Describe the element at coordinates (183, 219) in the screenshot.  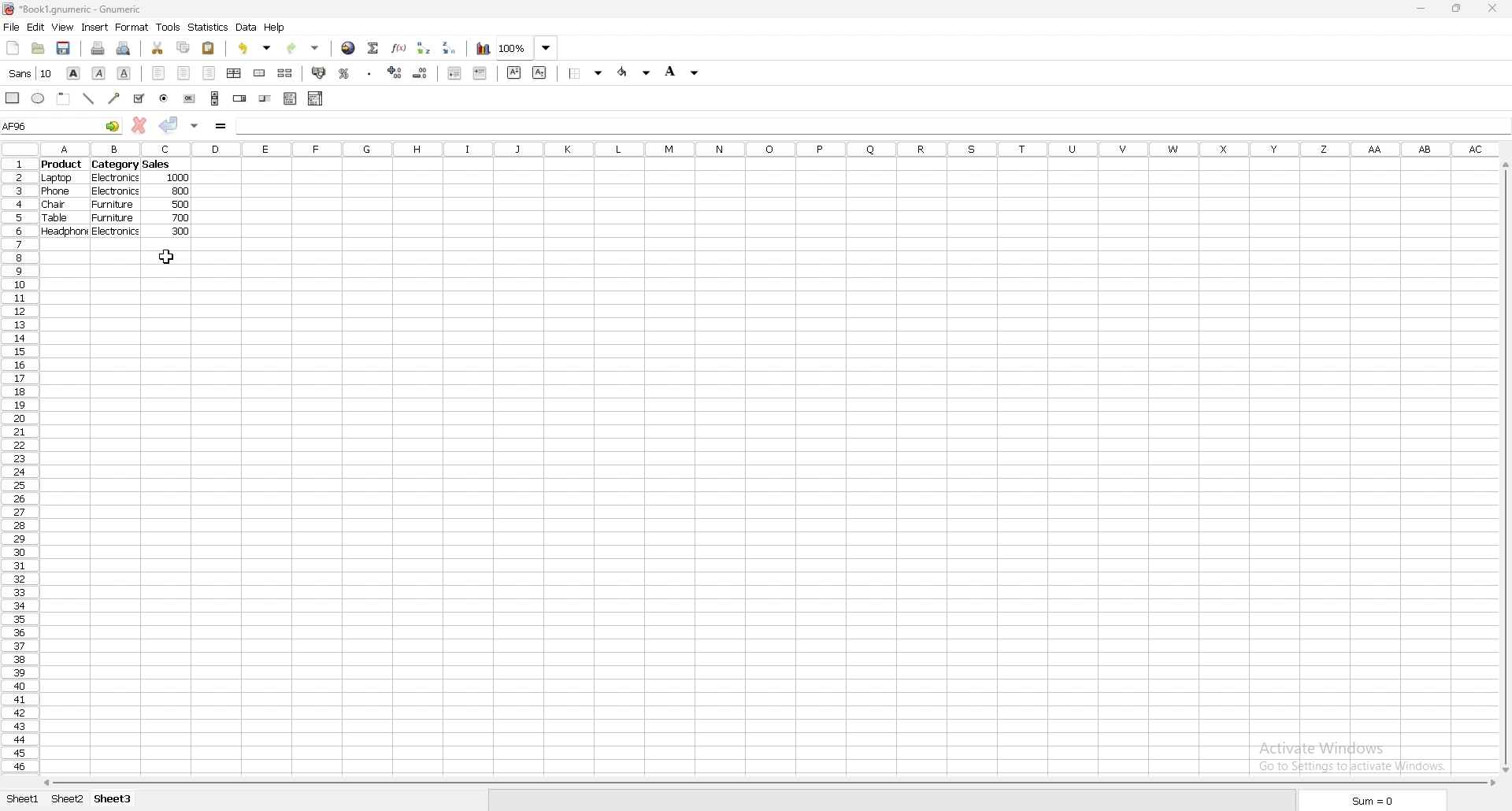
I see `700` at that location.